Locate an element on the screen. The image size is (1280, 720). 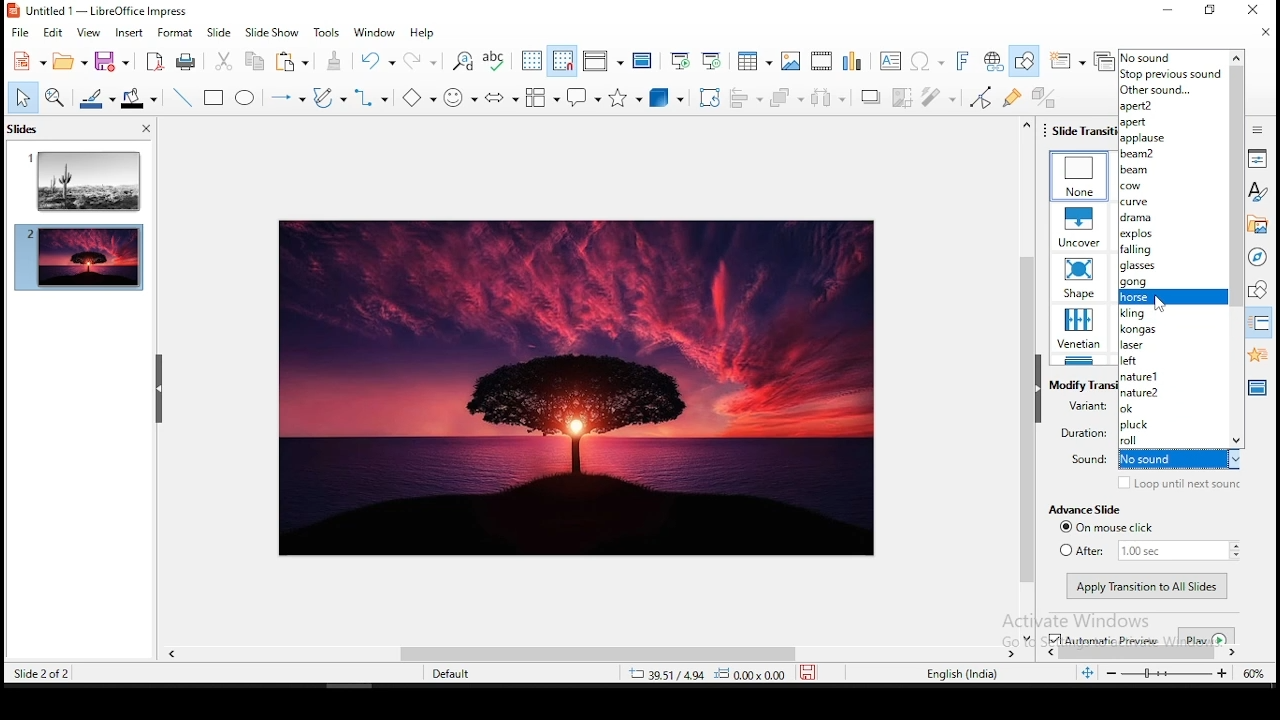
other sound is located at coordinates (1175, 91).